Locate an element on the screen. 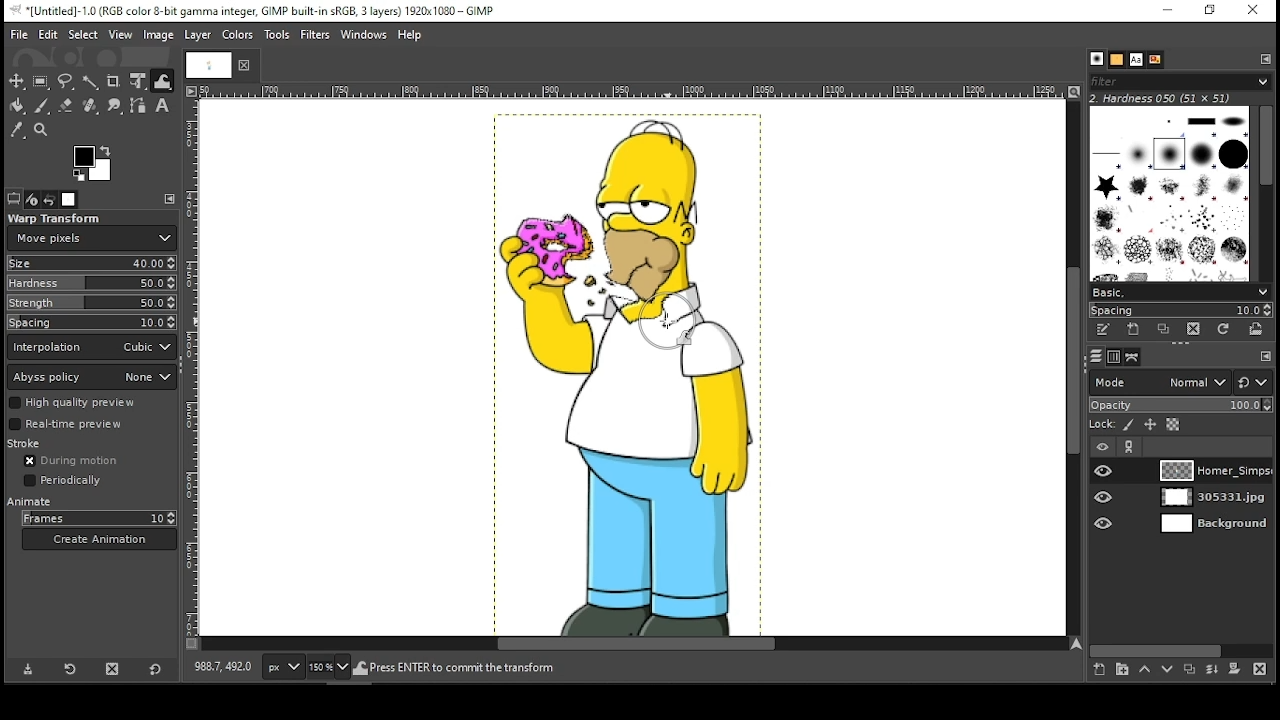 This screenshot has height=720, width=1280. layer 1 is located at coordinates (1214, 471).